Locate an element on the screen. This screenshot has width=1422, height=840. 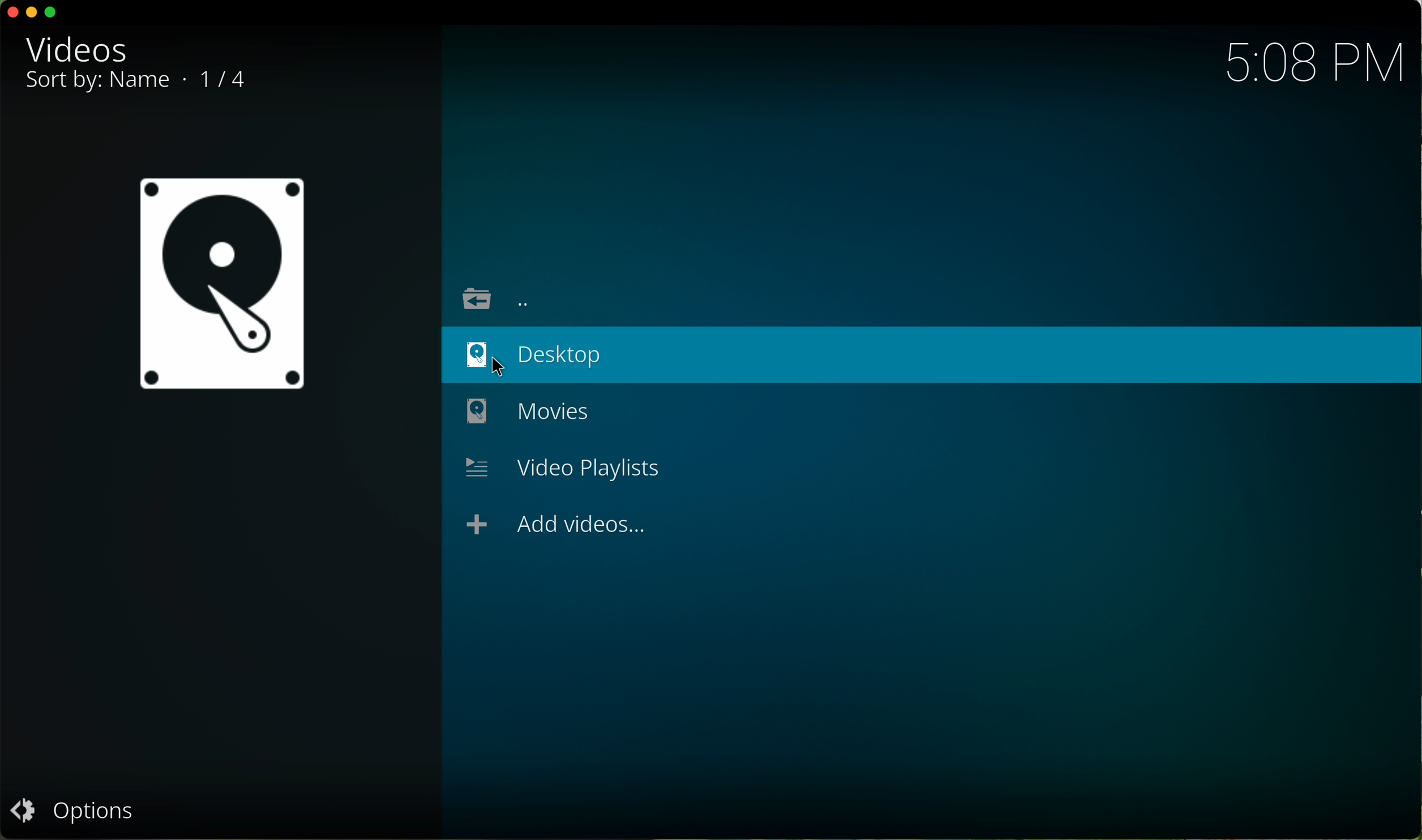
videos is located at coordinates (80, 49).